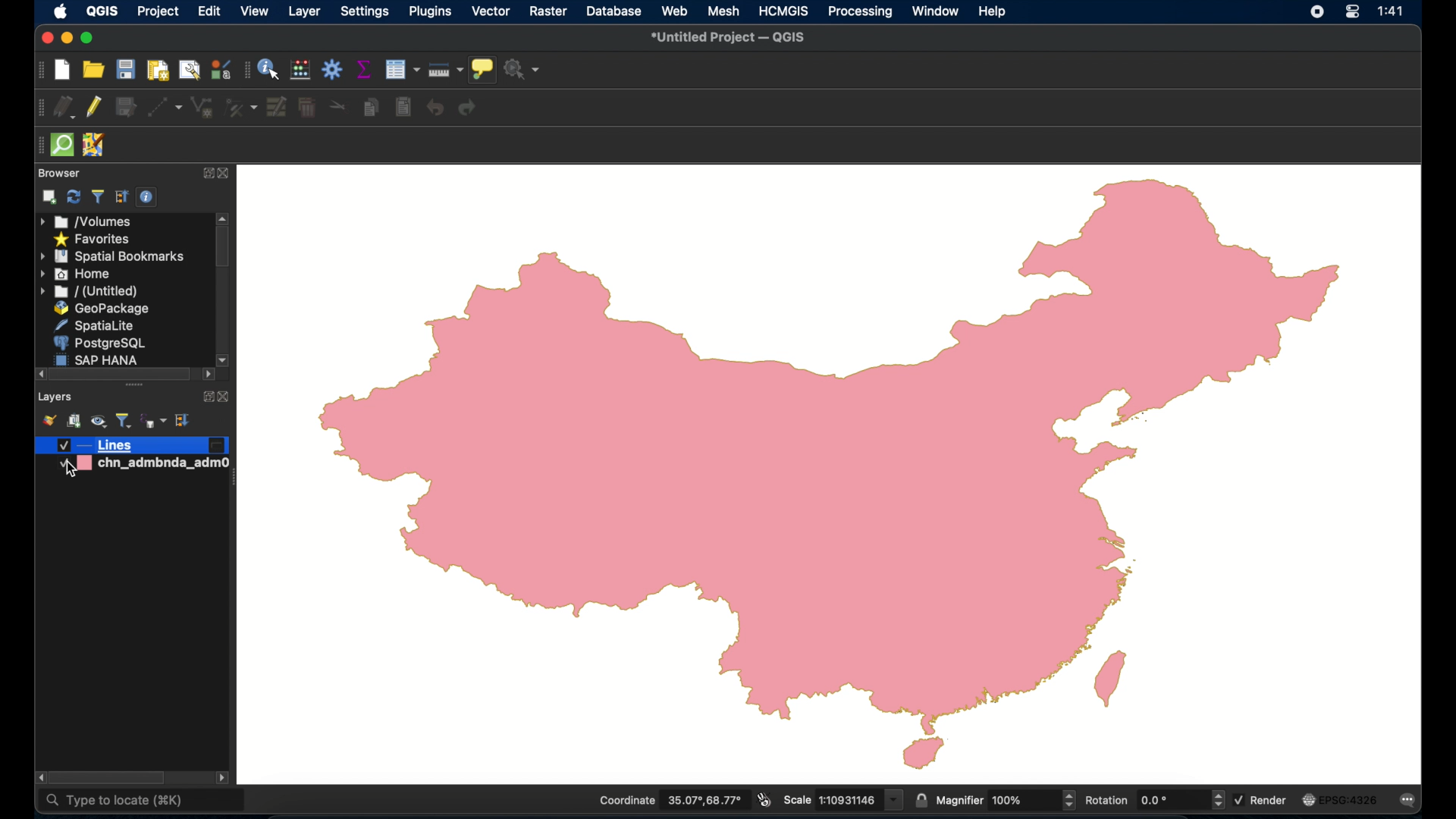 Image resolution: width=1456 pixels, height=819 pixels. What do you see at coordinates (36, 144) in the screenshot?
I see `drag handle` at bounding box center [36, 144].